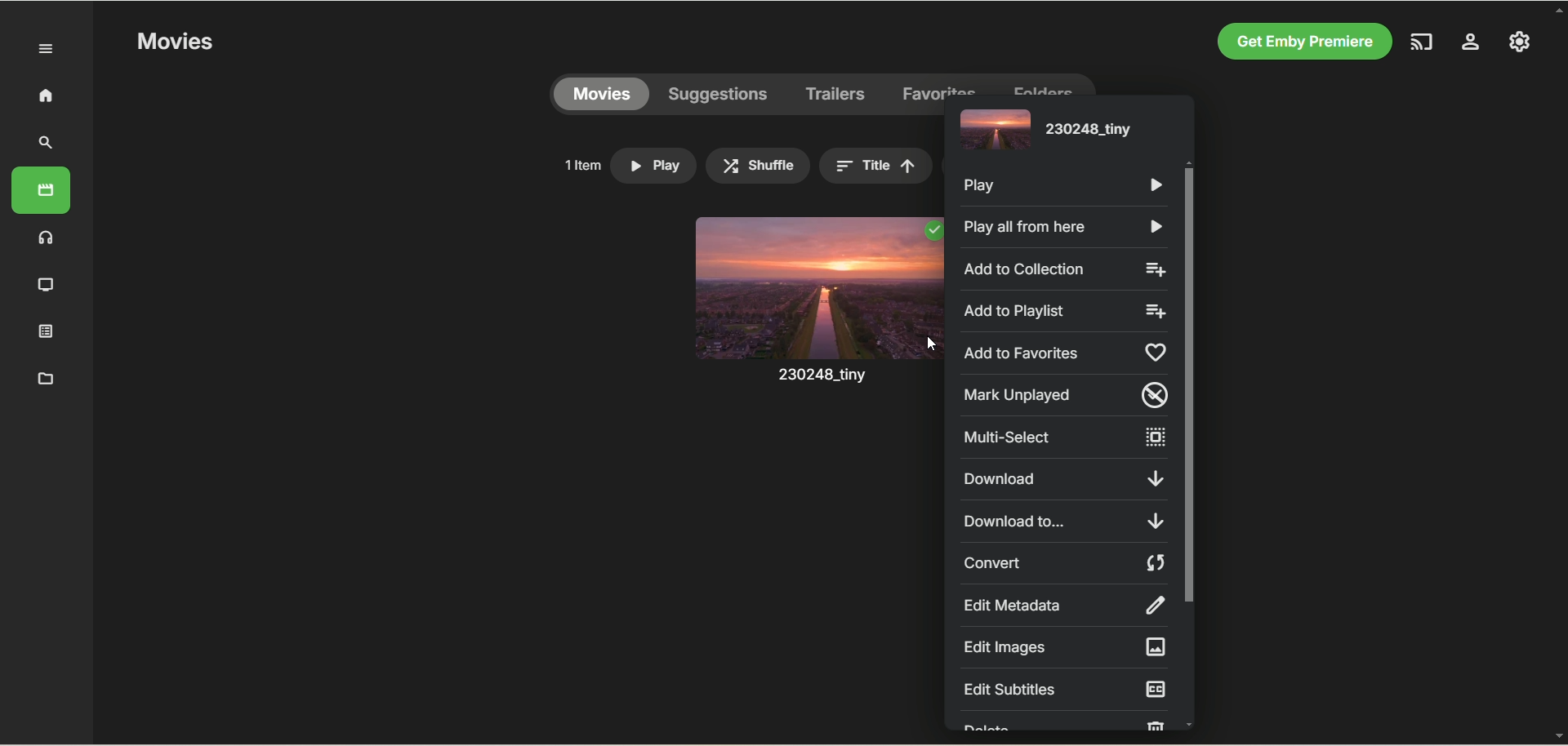 The height and width of the screenshot is (746, 1568). Describe the element at coordinates (41, 190) in the screenshot. I see `movies` at that location.